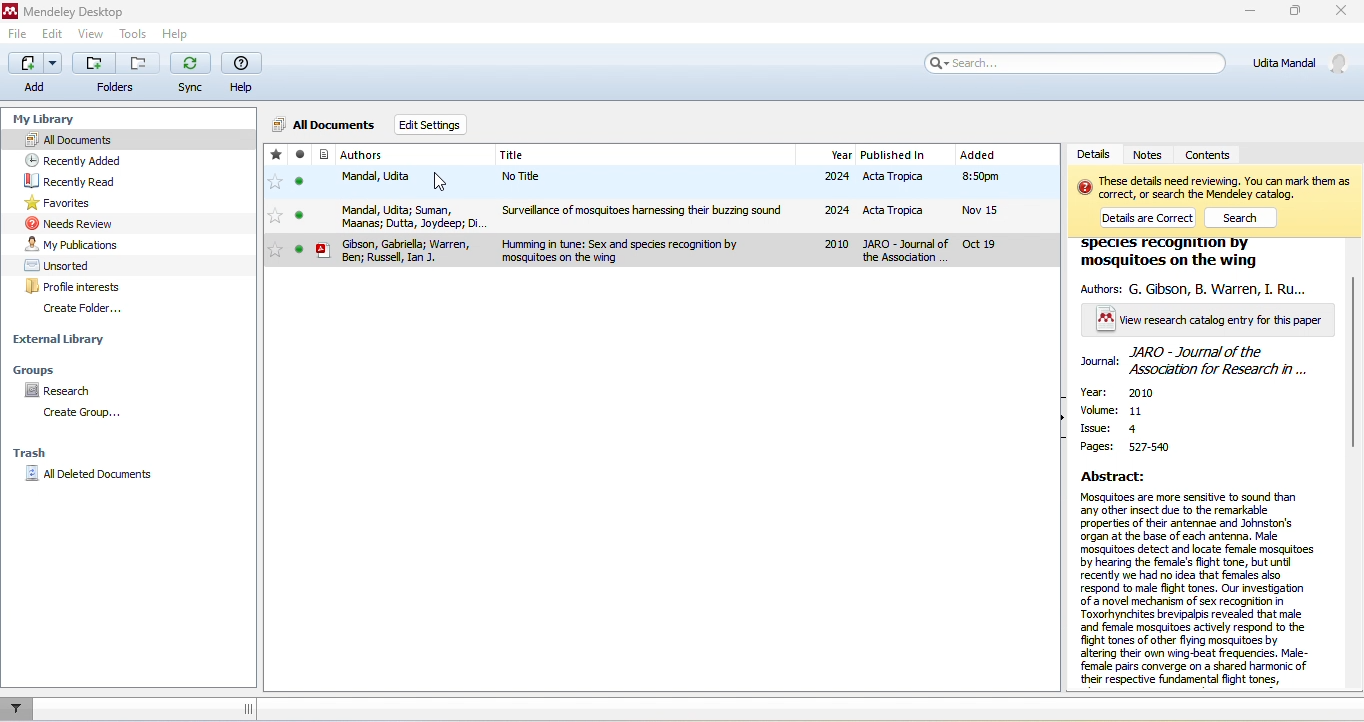 This screenshot has width=1364, height=722. What do you see at coordinates (647, 155) in the screenshot?
I see `title` at bounding box center [647, 155].